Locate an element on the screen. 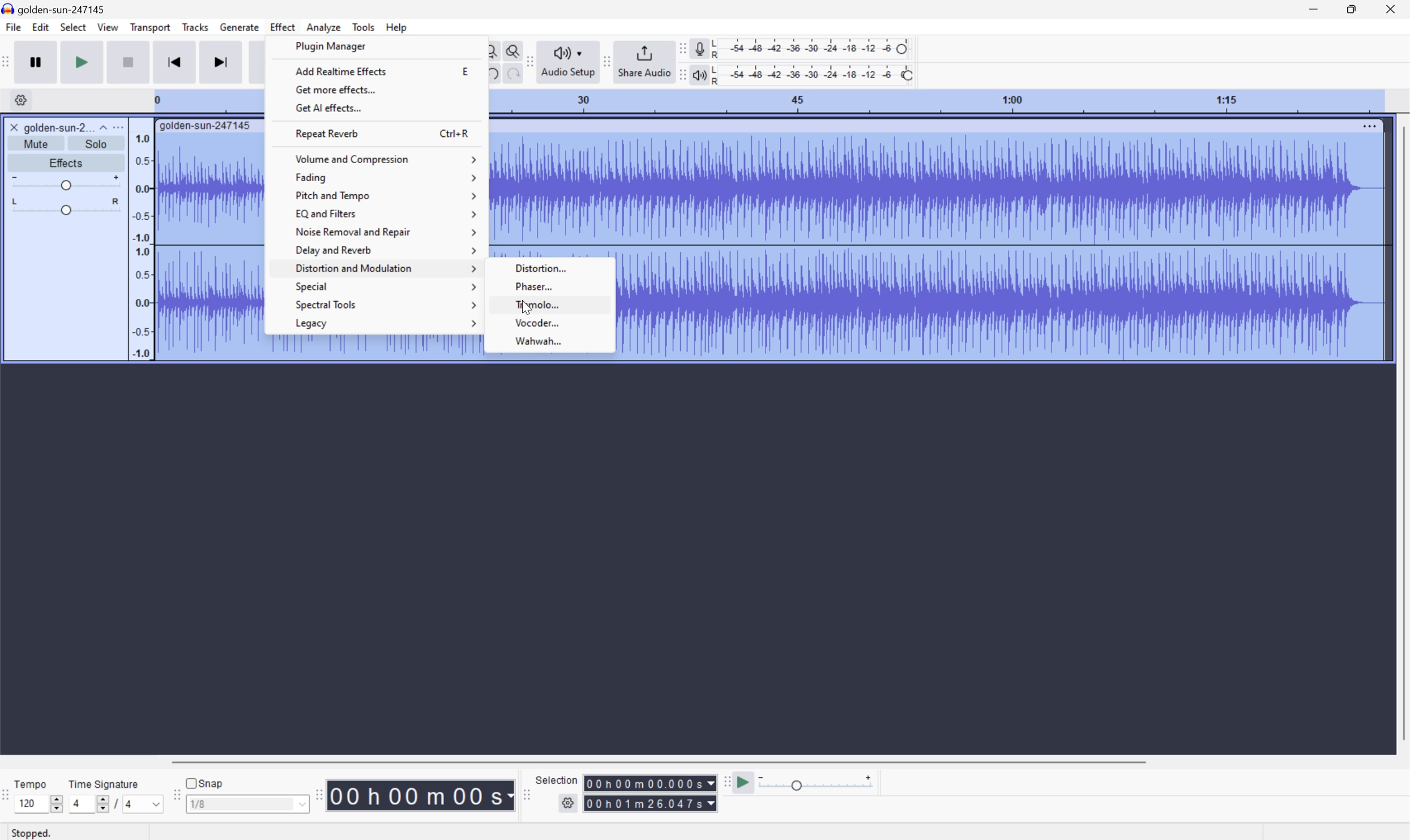 The width and height of the screenshot is (1410, 840). Settings is located at coordinates (567, 804).